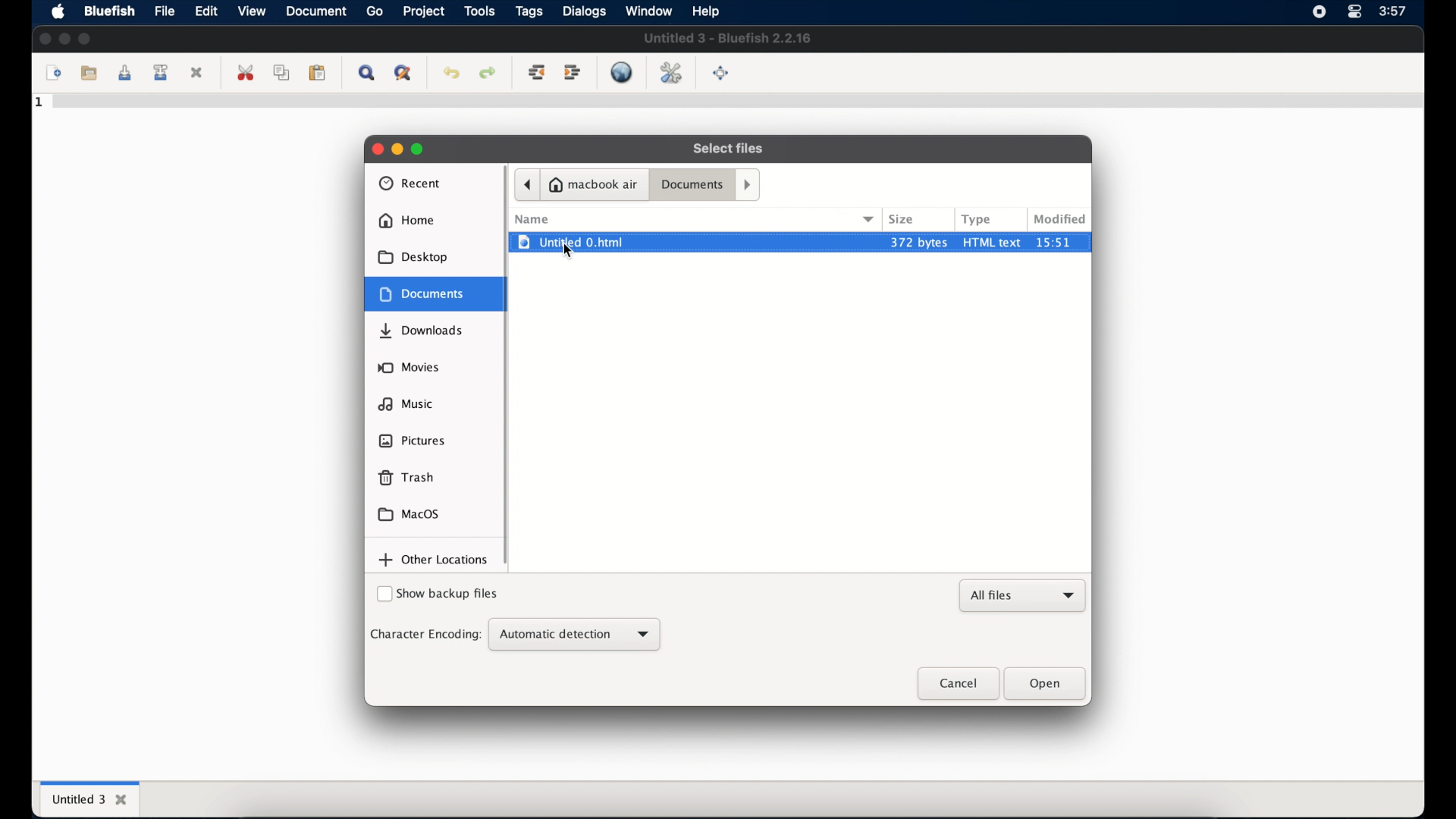 The image size is (1456, 819). Describe the element at coordinates (409, 367) in the screenshot. I see `movies` at that location.